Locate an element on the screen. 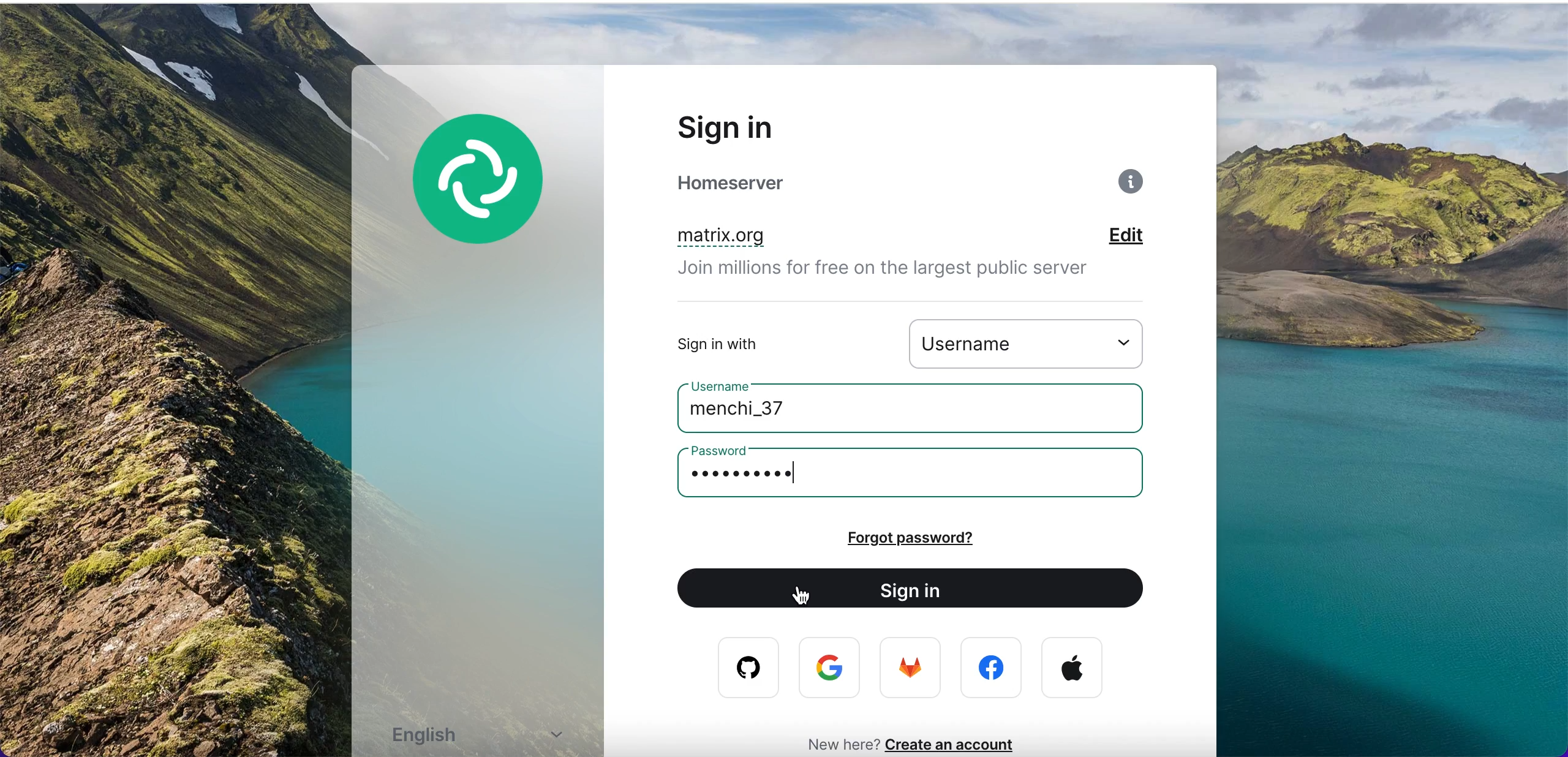 The width and height of the screenshot is (1568, 757). element logo is located at coordinates (493, 197).